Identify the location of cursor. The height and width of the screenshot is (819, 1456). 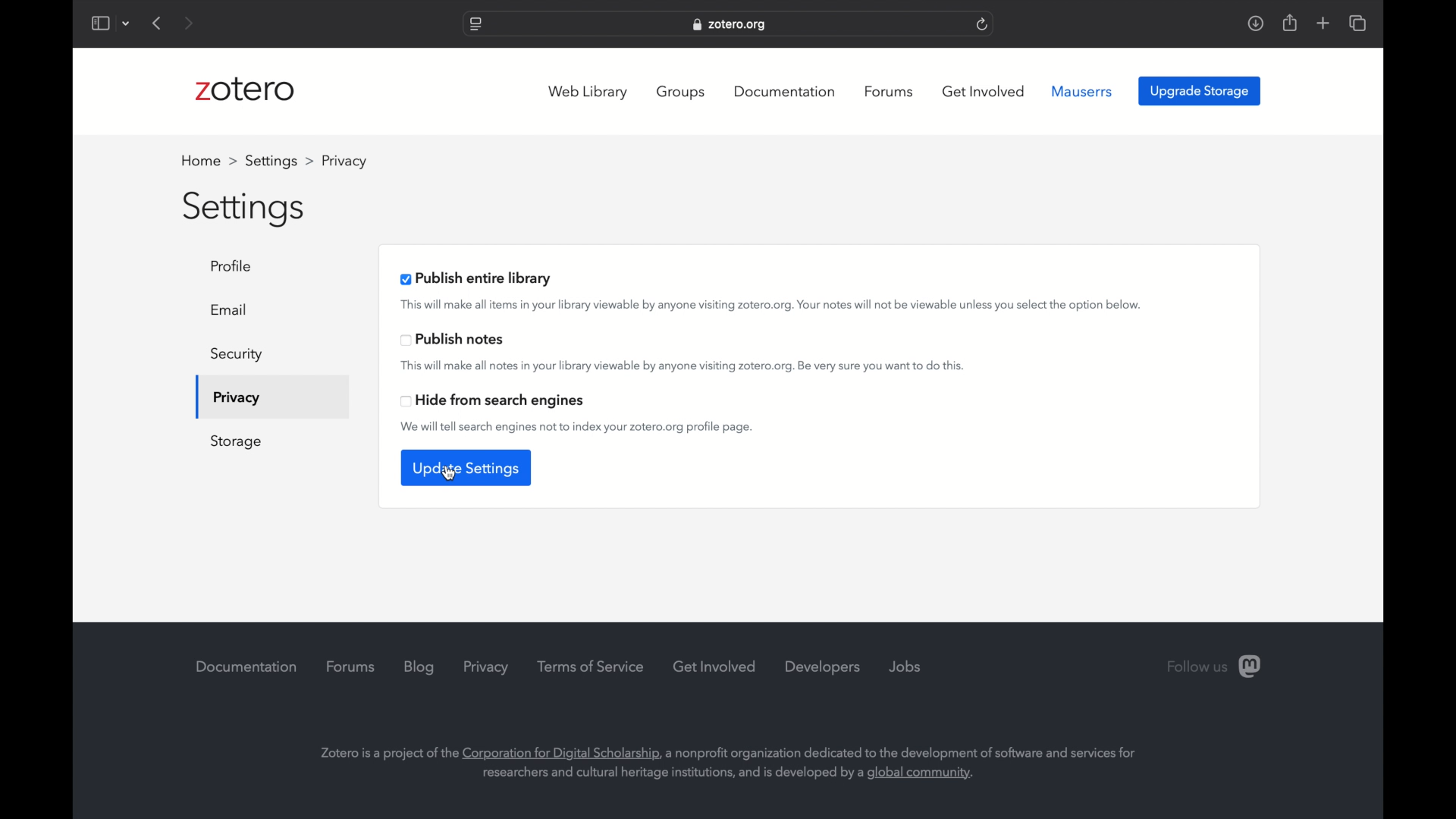
(447, 473).